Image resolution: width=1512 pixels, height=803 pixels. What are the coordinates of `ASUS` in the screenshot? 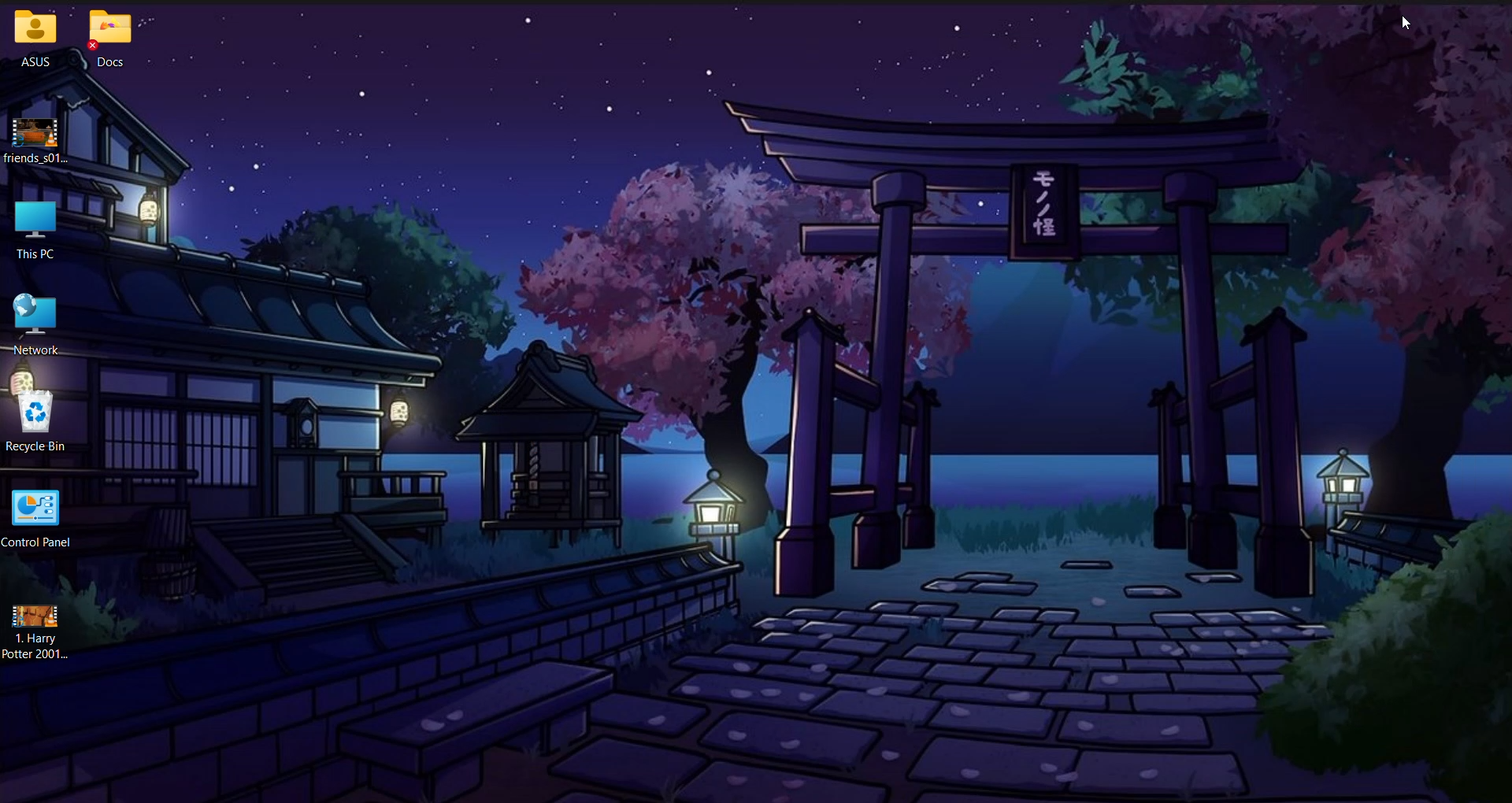 It's located at (35, 38).